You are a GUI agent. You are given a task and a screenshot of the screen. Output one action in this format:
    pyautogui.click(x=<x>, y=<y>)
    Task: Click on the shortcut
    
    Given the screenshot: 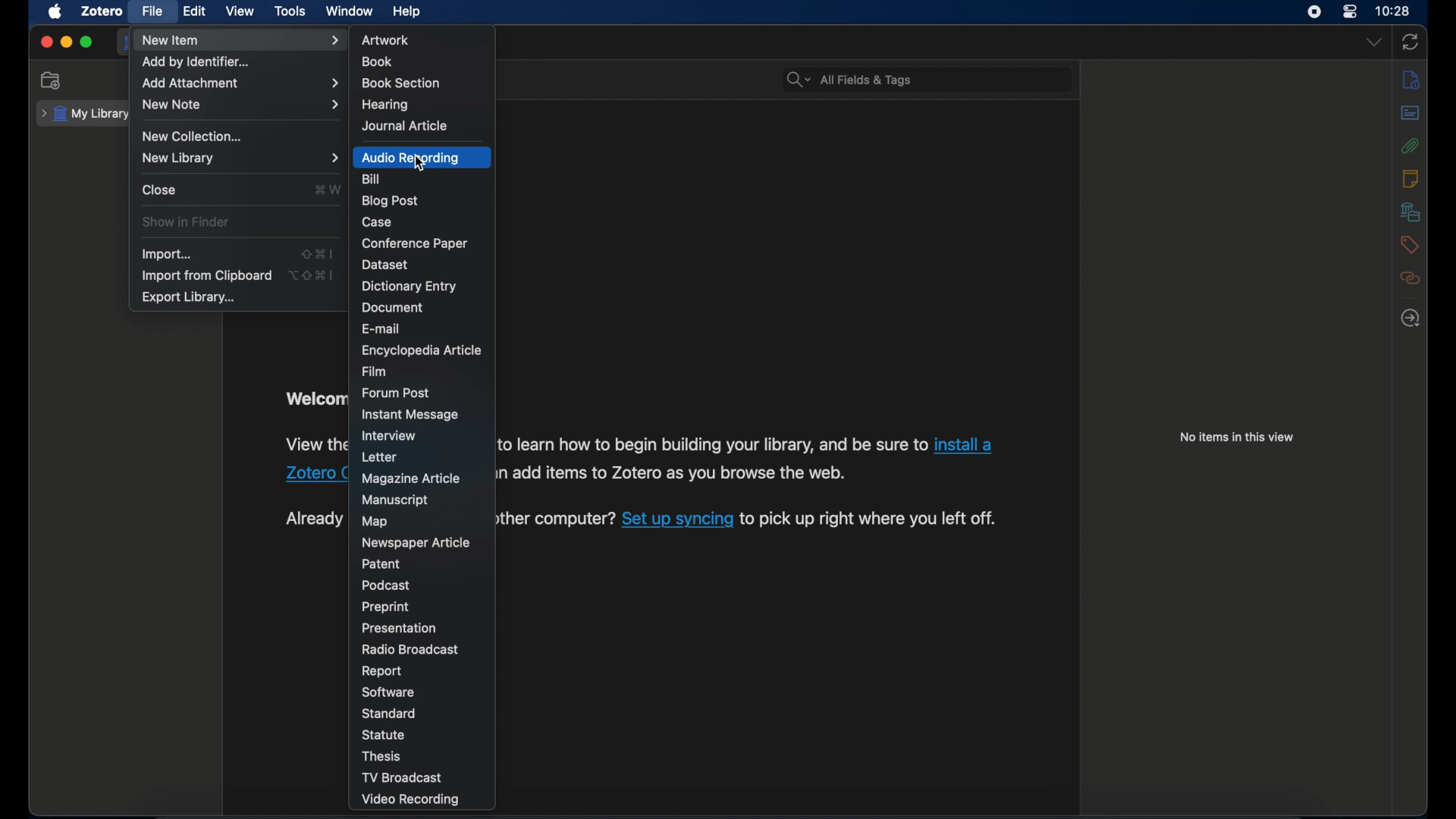 What is the action you would take?
    pyautogui.click(x=325, y=189)
    